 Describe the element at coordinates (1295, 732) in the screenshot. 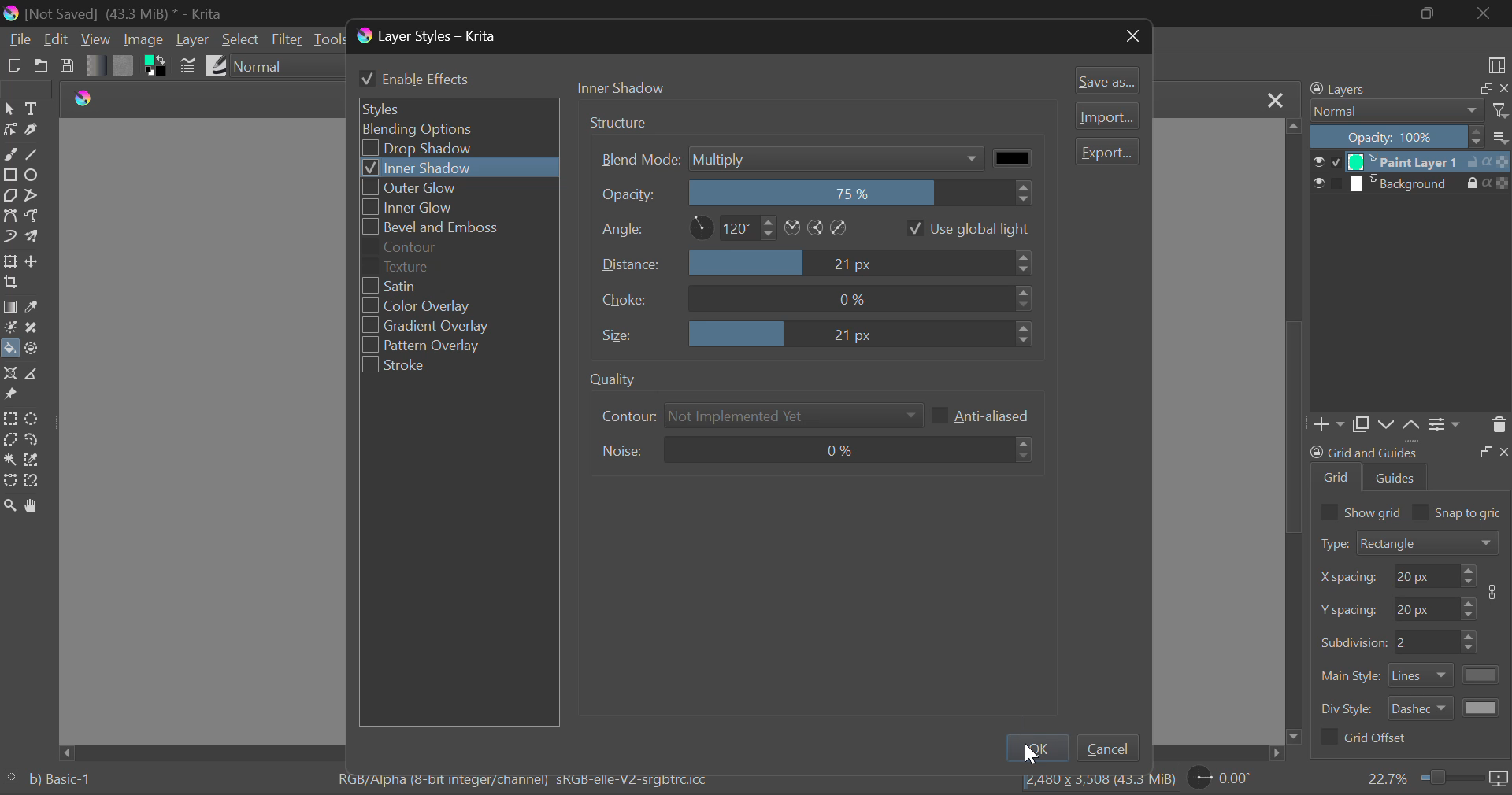

I see `move down` at that location.